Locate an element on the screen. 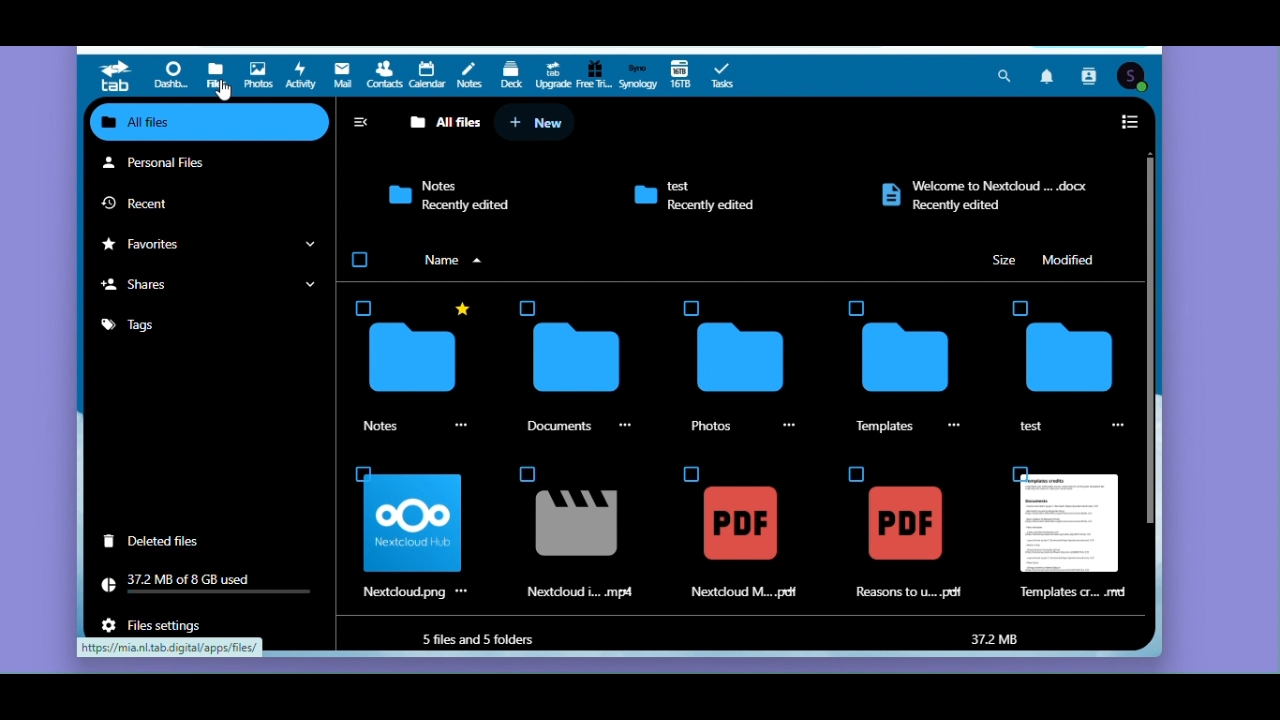  test is located at coordinates (1066, 365).